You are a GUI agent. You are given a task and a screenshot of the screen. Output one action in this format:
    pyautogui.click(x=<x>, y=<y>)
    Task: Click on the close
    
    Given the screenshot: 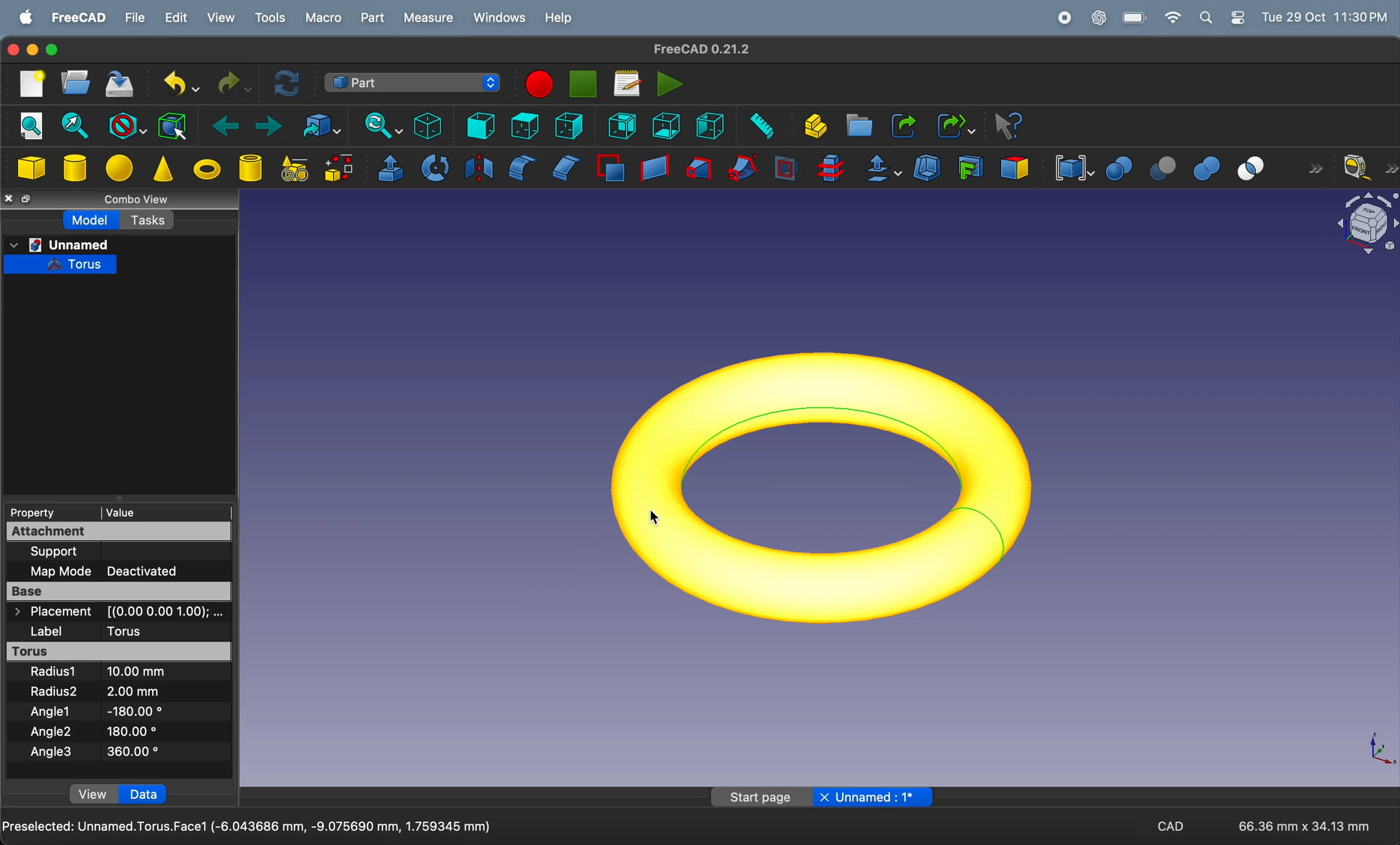 What is the action you would take?
    pyautogui.click(x=9, y=200)
    